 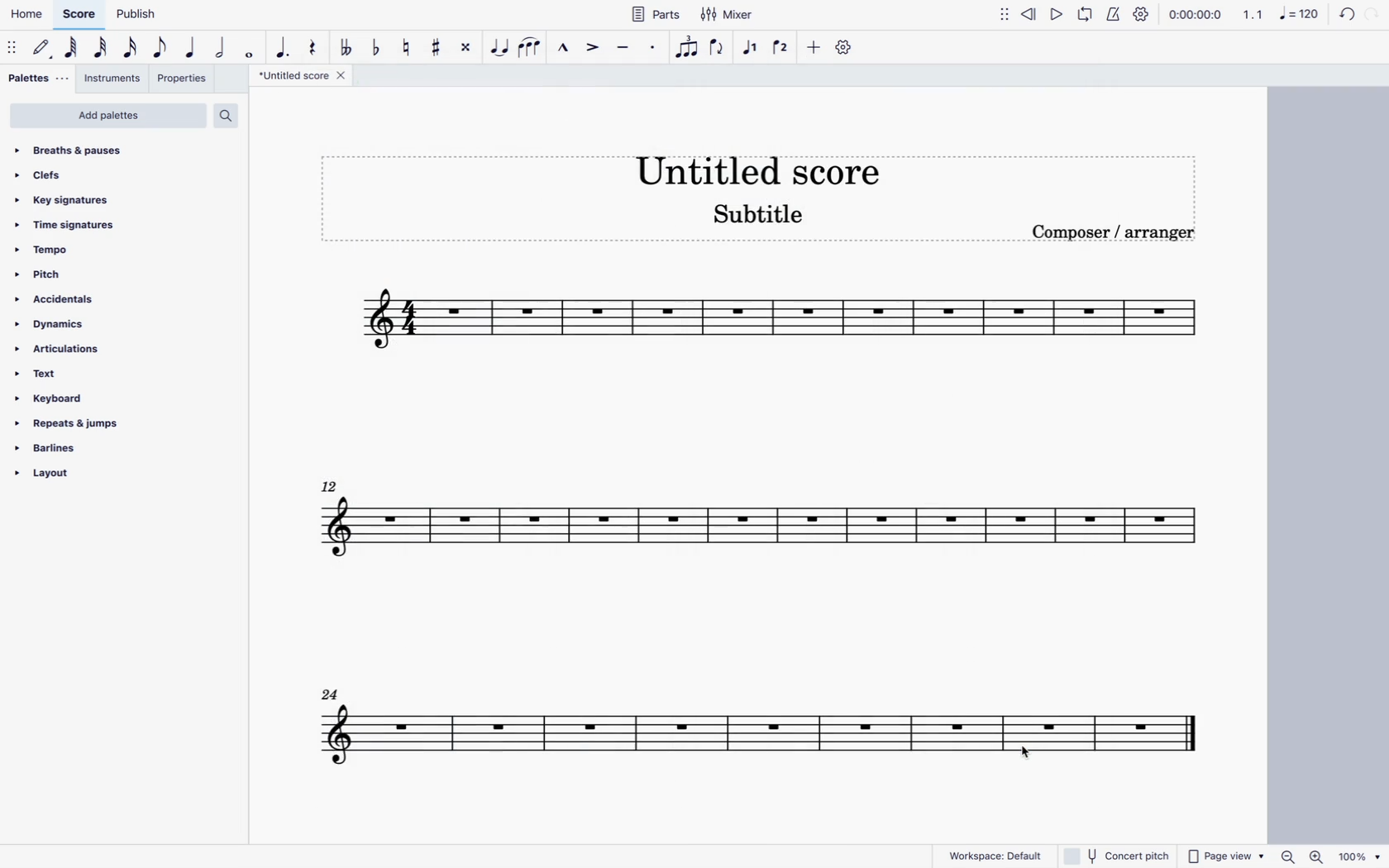 What do you see at coordinates (532, 50) in the screenshot?
I see `slur` at bounding box center [532, 50].